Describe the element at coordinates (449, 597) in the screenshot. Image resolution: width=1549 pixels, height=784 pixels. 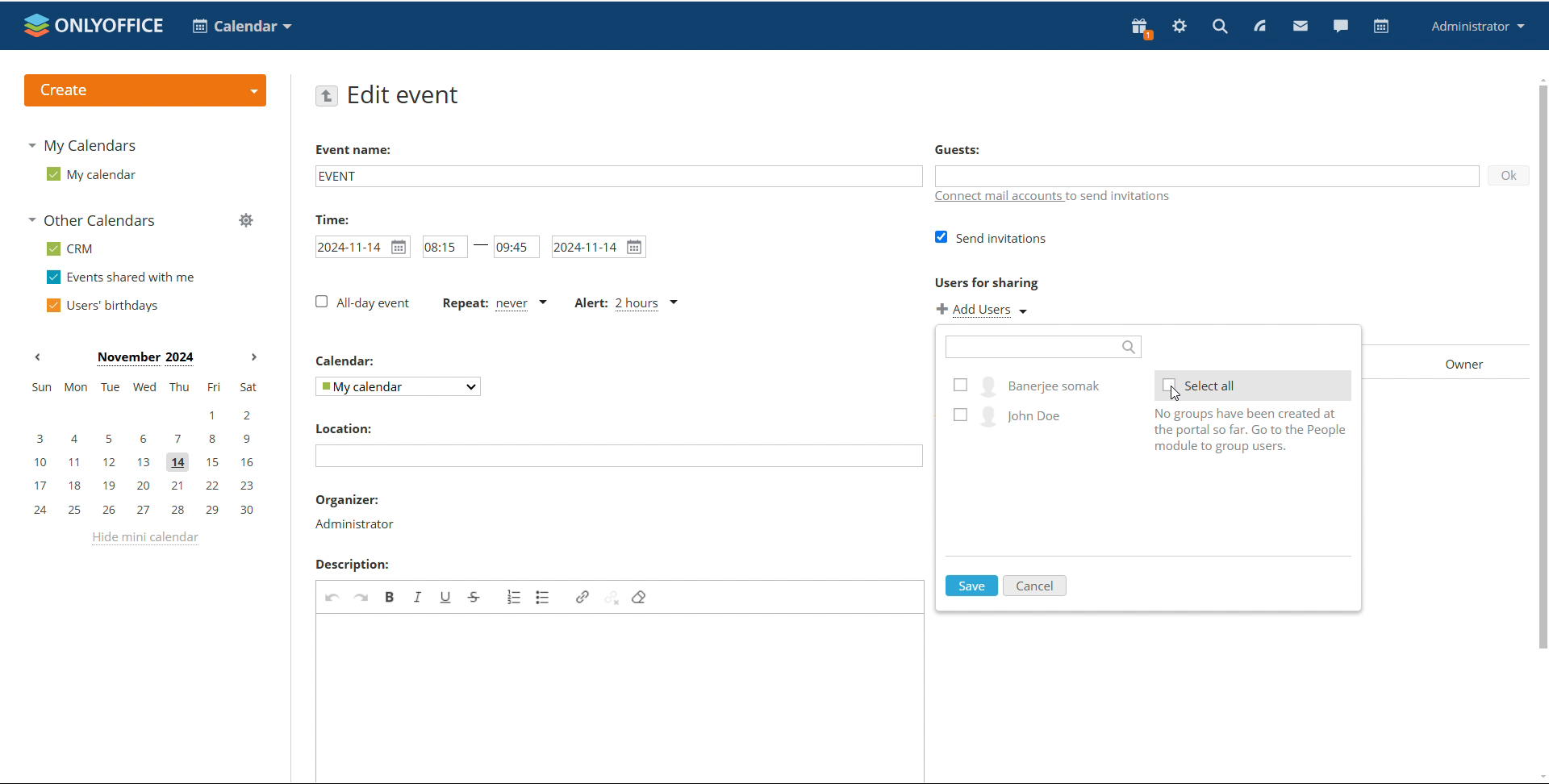
I see `underline` at that location.